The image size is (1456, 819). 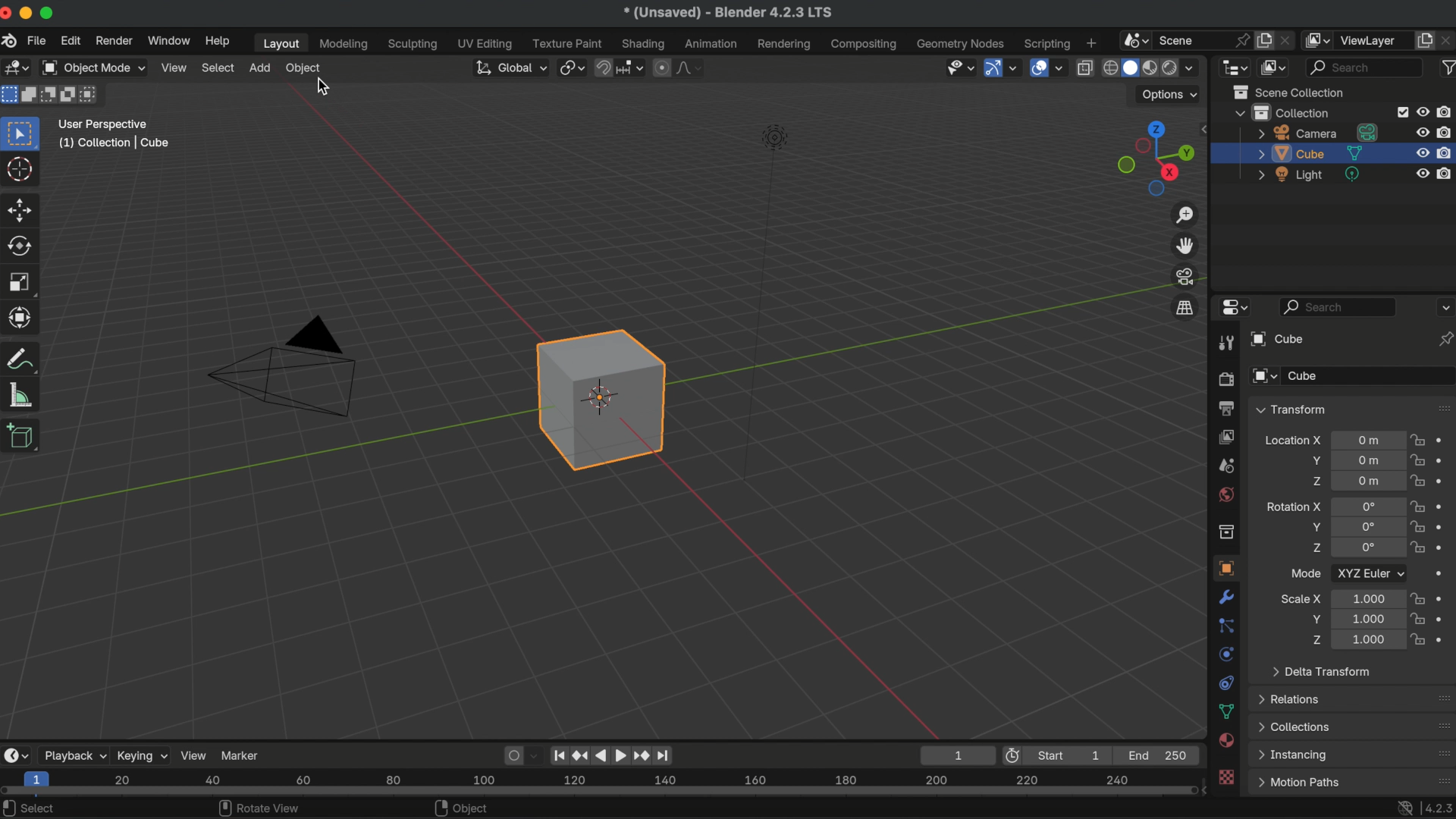 What do you see at coordinates (1369, 440) in the screenshot?
I see `location of object` at bounding box center [1369, 440].